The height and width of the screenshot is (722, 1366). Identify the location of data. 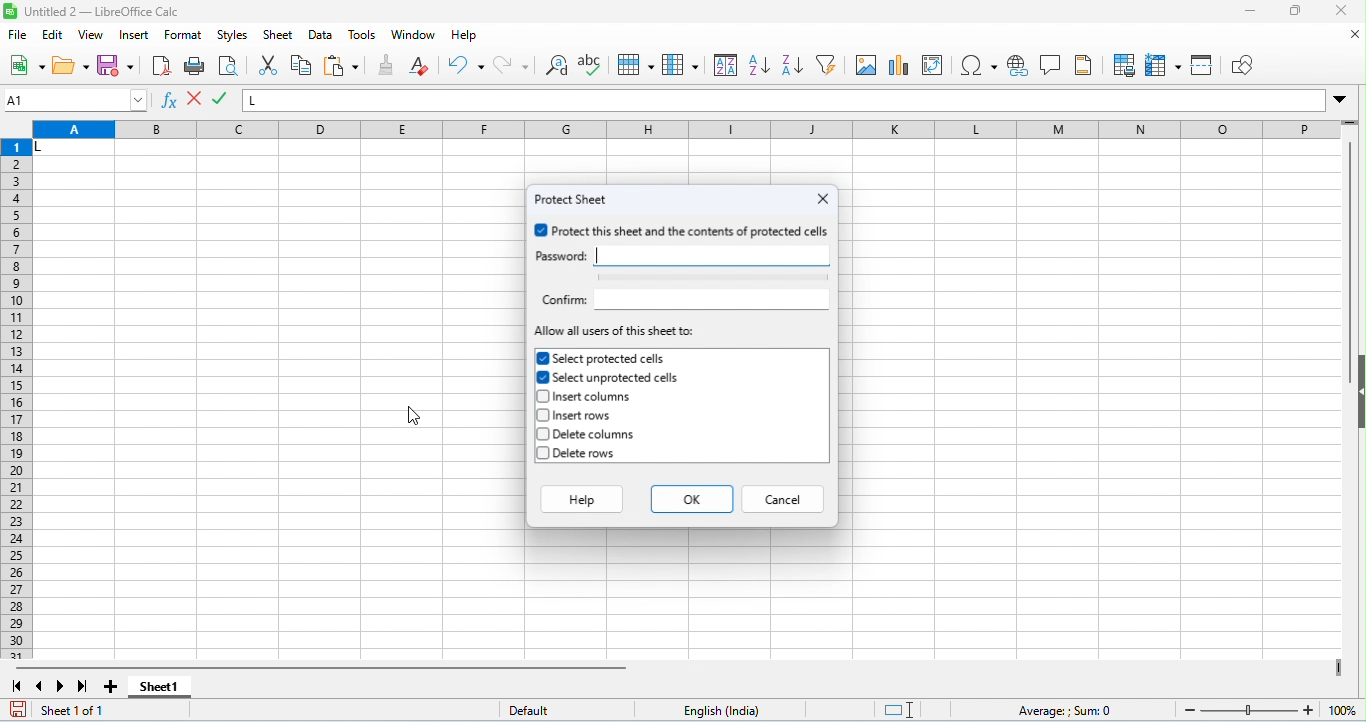
(323, 36).